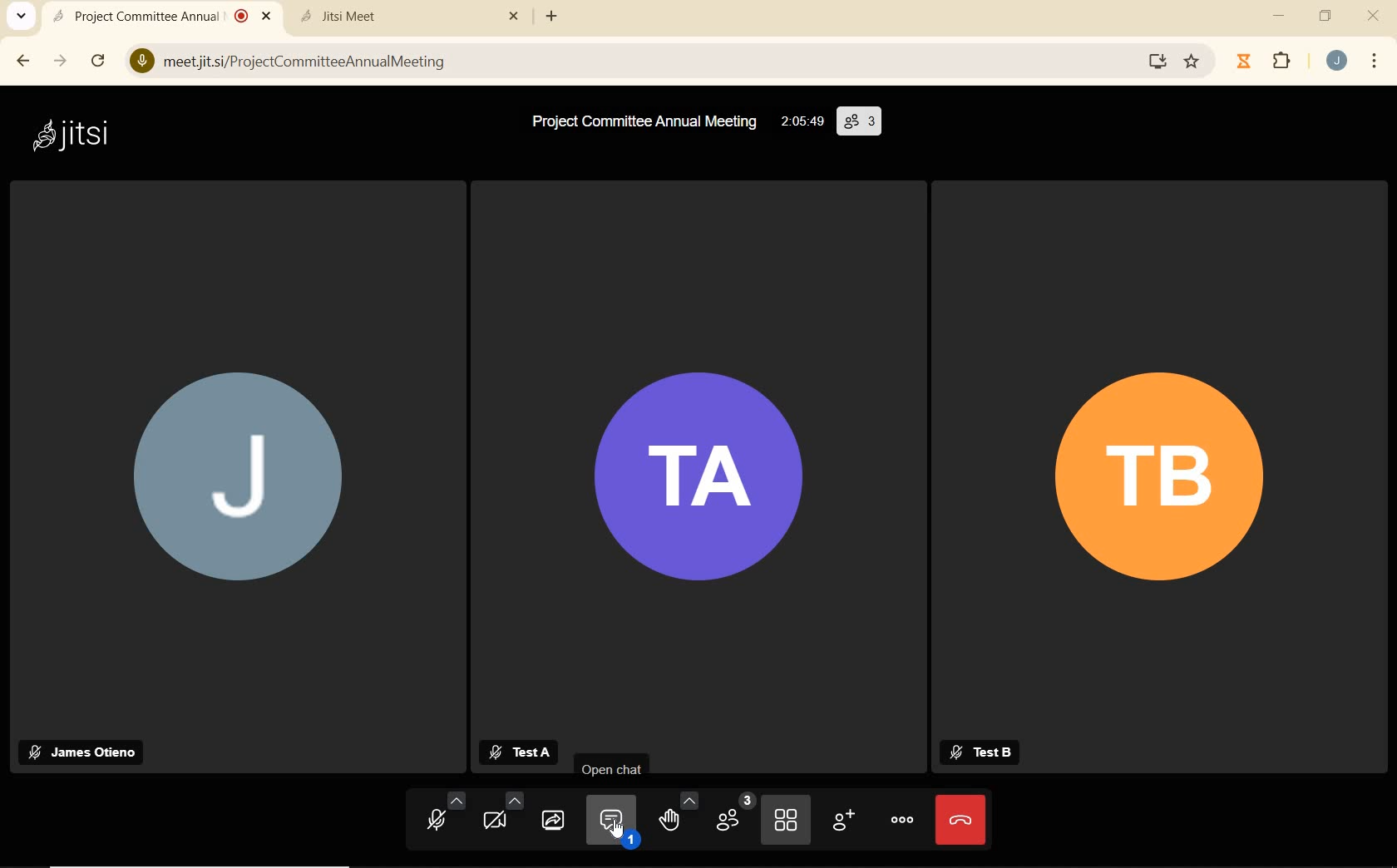  Describe the element at coordinates (552, 17) in the screenshot. I see `add tab` at that location.